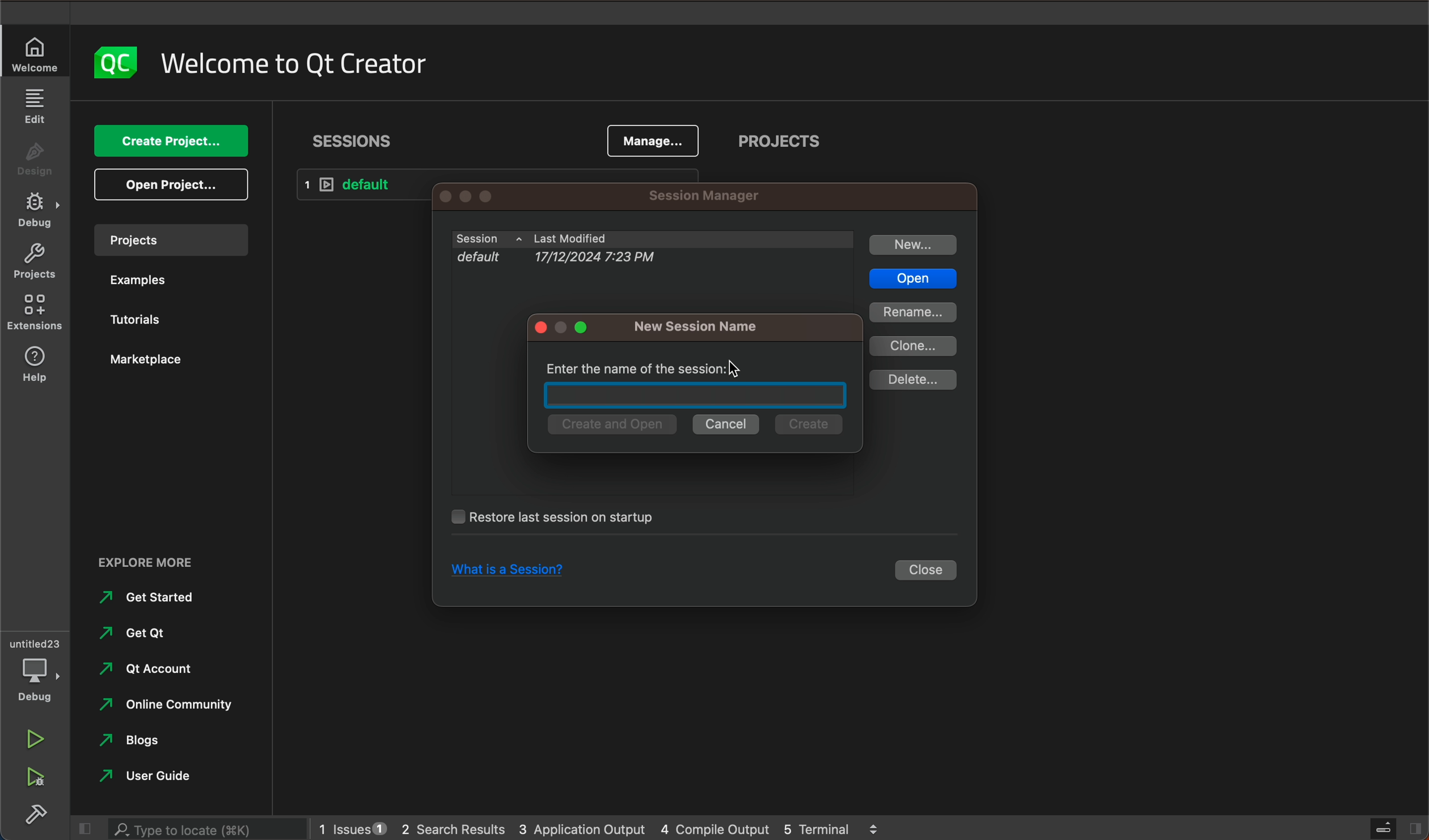  What do you see at coordinates (610, 425) in the screenshot?
I see `create and open` at bounding box center [610, 425].